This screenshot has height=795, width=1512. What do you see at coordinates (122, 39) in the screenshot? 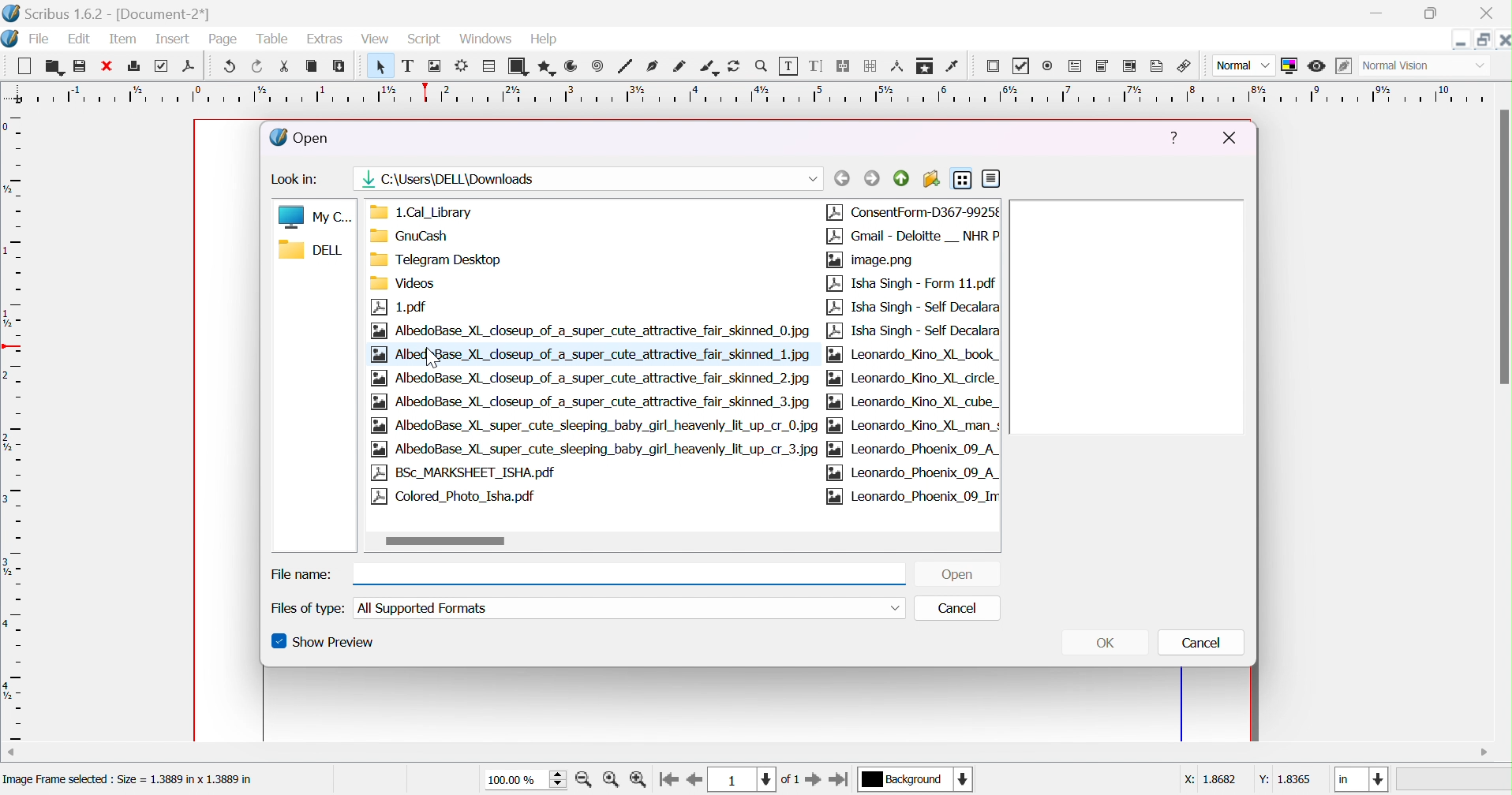
I see `item` at bounding box center [122, 39].